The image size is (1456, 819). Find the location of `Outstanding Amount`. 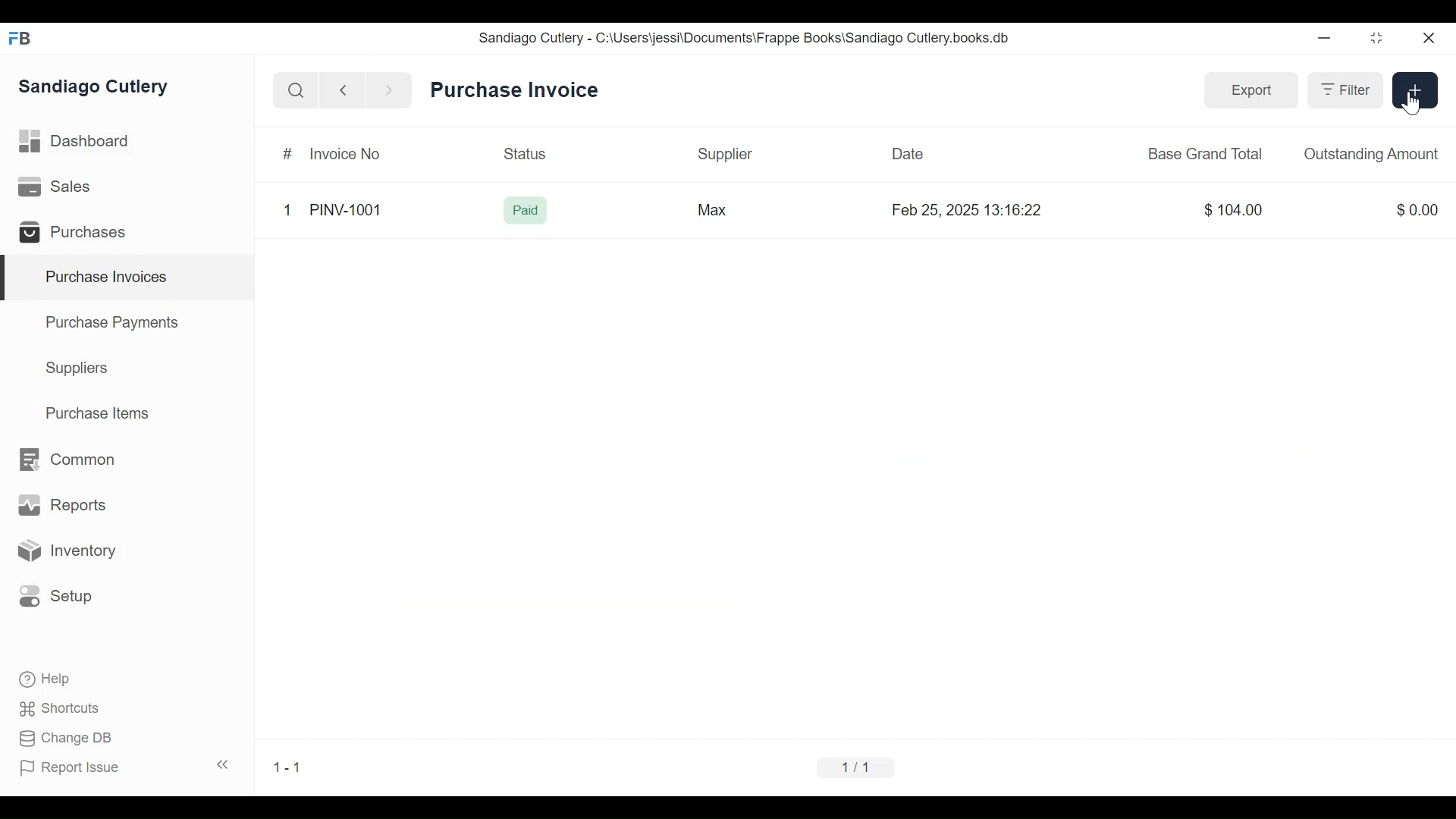

Outstanding Amount is located at coordinates (1370, 155).